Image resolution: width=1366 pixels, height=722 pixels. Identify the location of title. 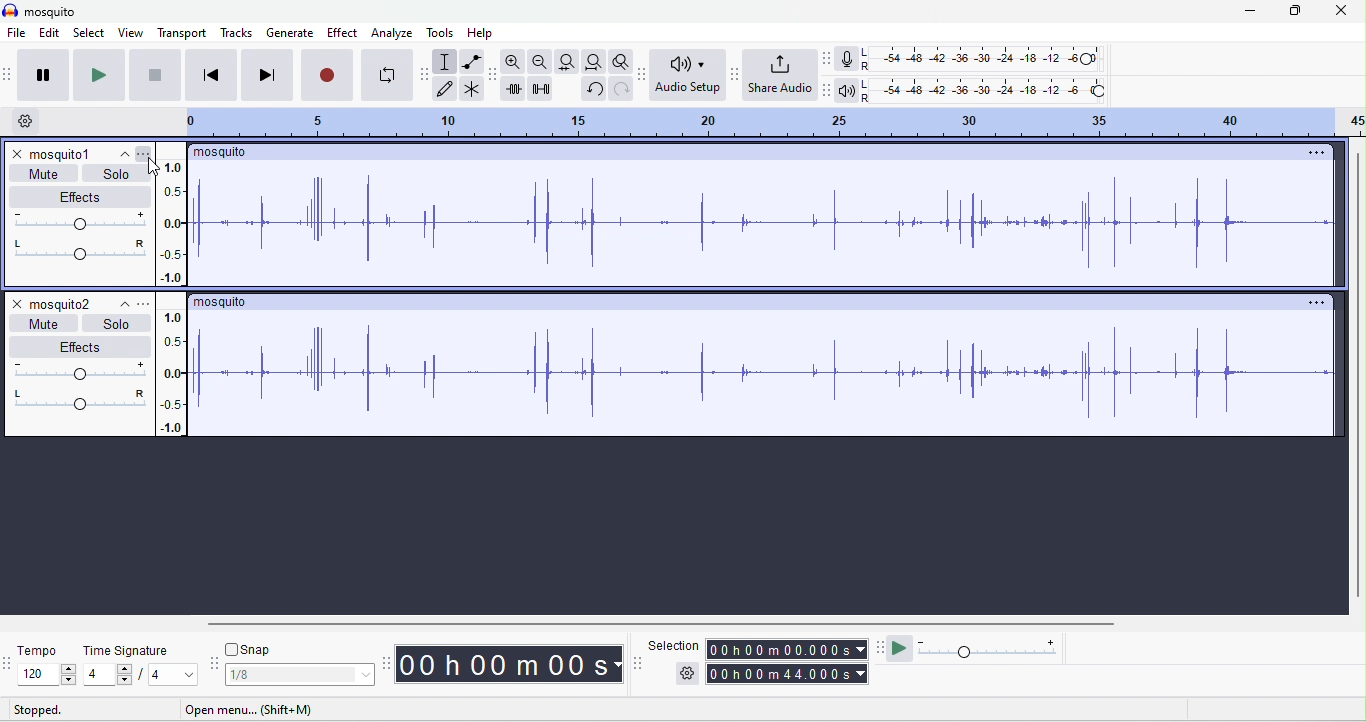
(226, 150).